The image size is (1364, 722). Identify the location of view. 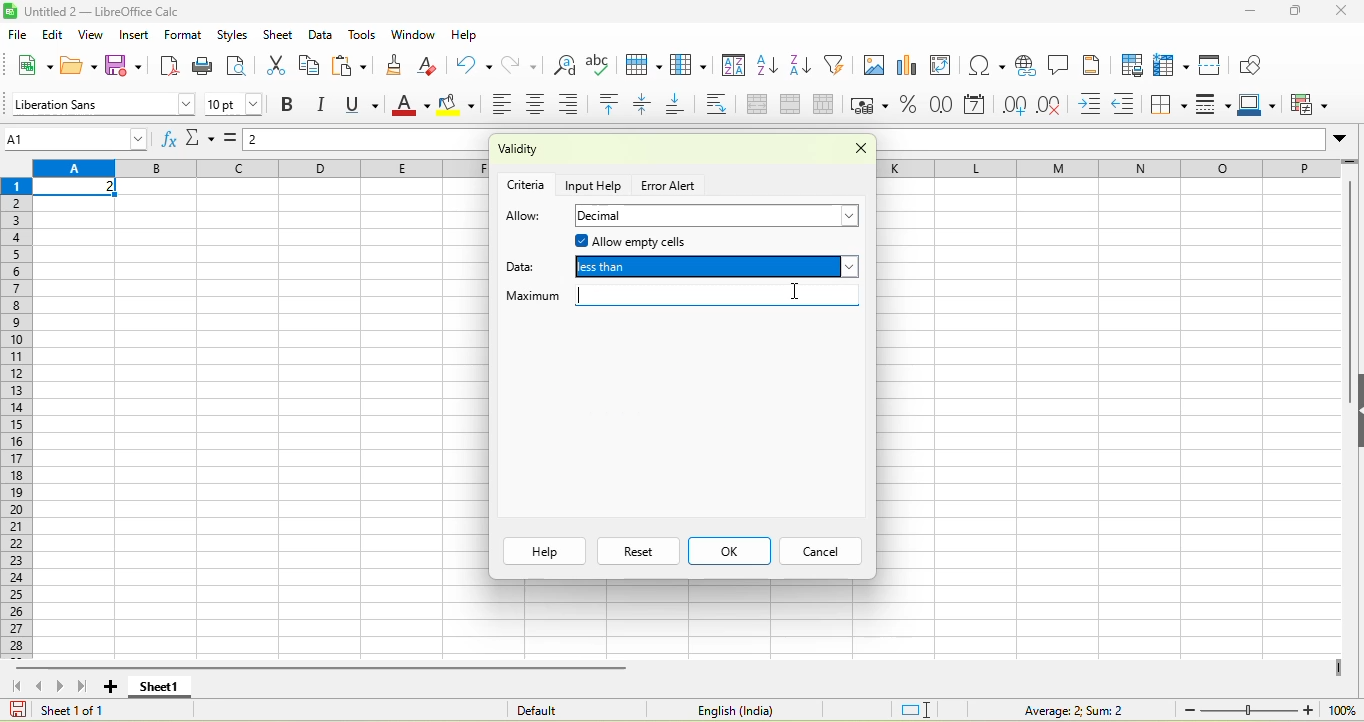
(94, 35).